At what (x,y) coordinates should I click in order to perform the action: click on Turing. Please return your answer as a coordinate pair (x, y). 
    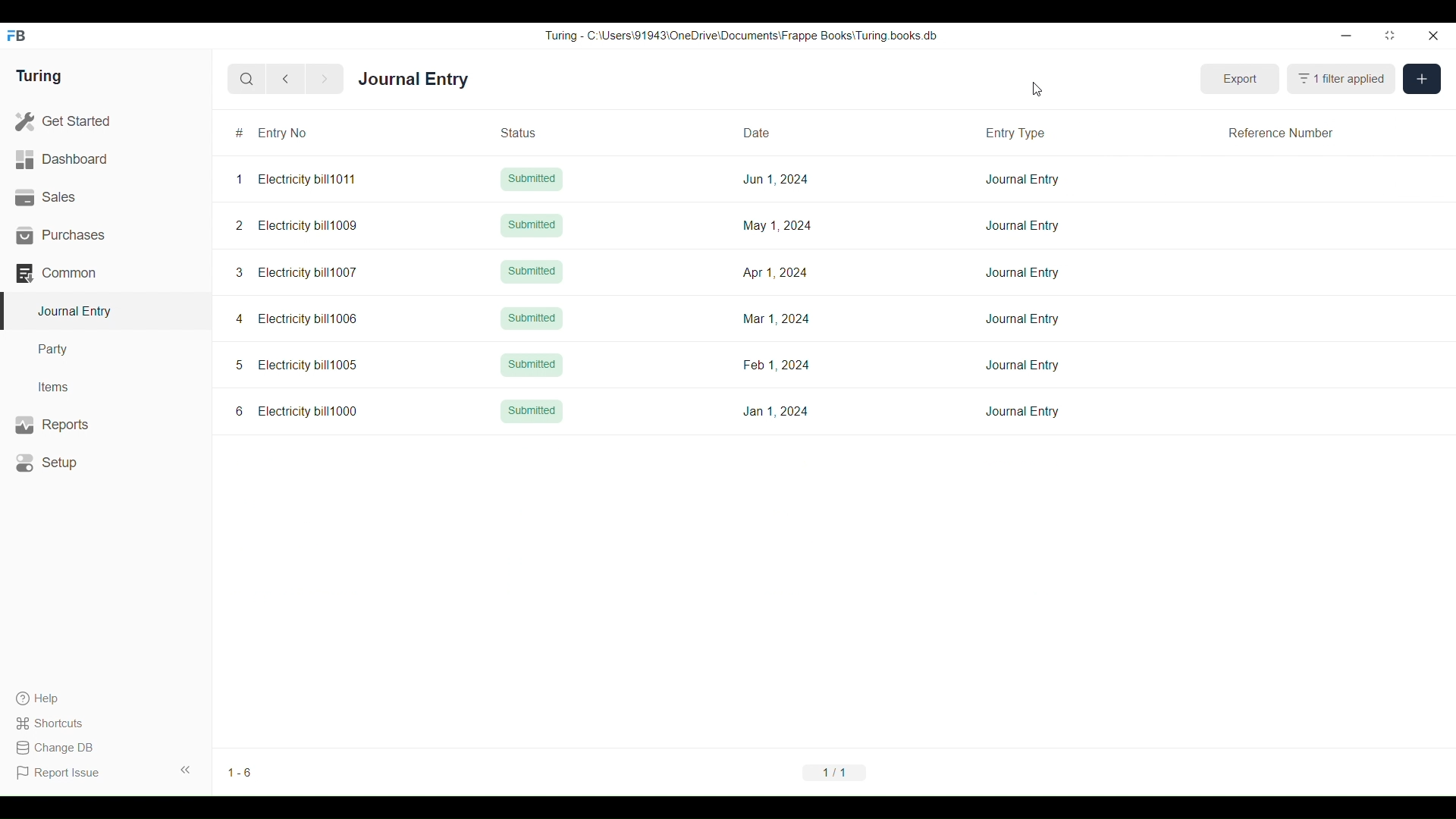
    Looking at the image, I should click on (39, 76).